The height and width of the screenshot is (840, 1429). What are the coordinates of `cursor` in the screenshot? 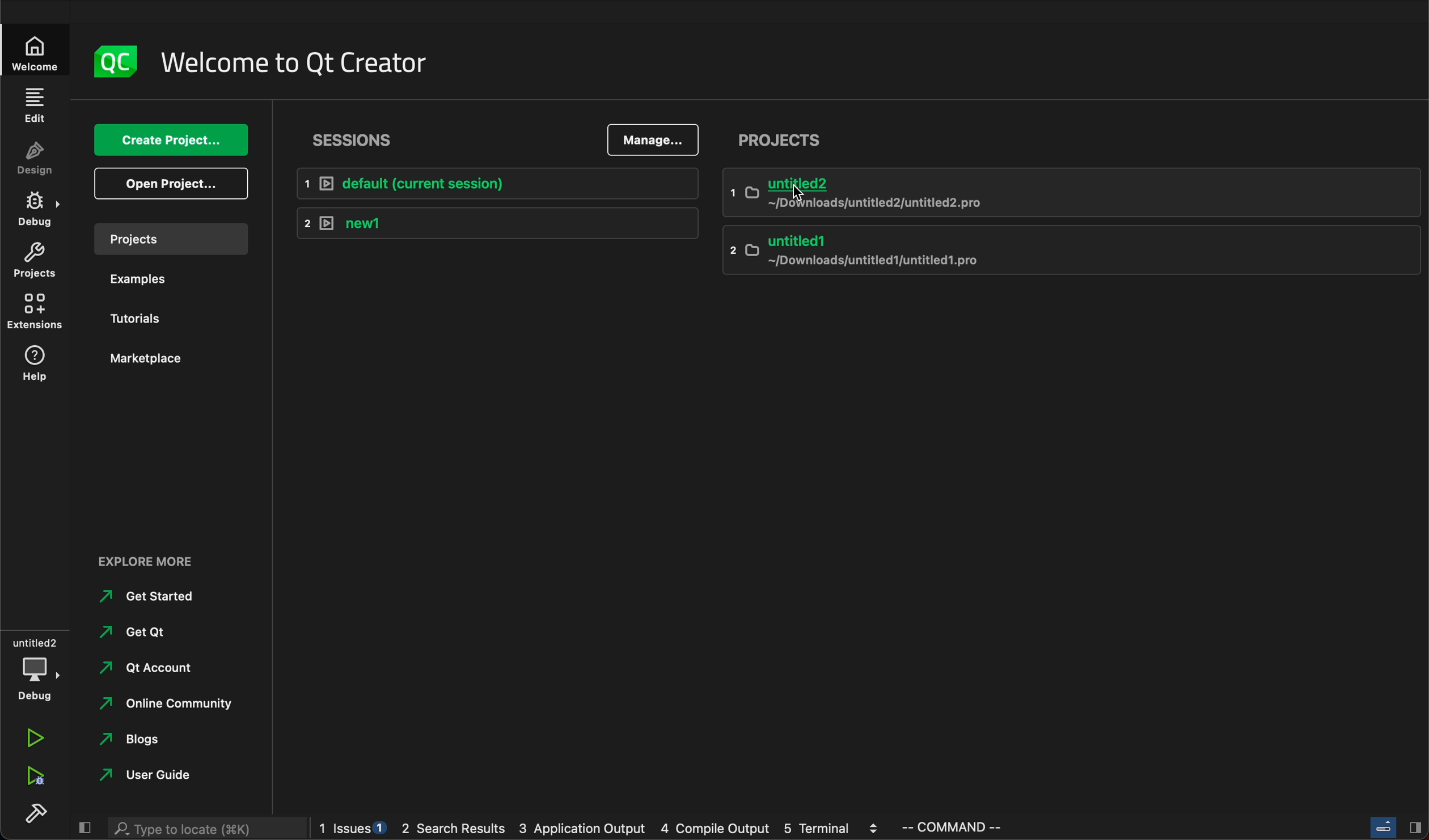 It's located at (801, 191).